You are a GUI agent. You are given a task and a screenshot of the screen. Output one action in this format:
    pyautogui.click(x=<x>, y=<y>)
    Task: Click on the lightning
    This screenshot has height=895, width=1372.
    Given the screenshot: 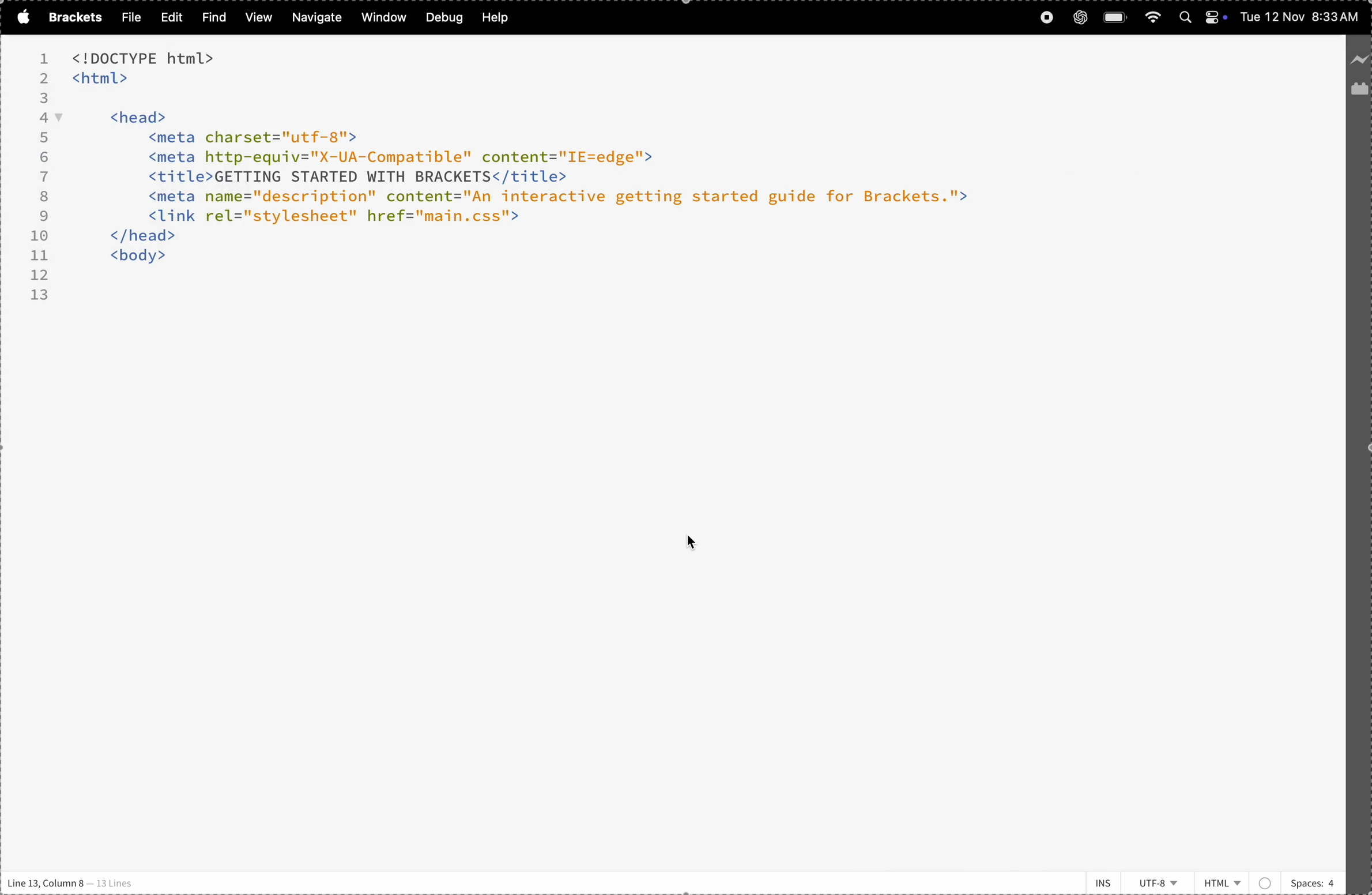 What is the action you would take?
    pyautogui.click(x=1360, y=54)
    